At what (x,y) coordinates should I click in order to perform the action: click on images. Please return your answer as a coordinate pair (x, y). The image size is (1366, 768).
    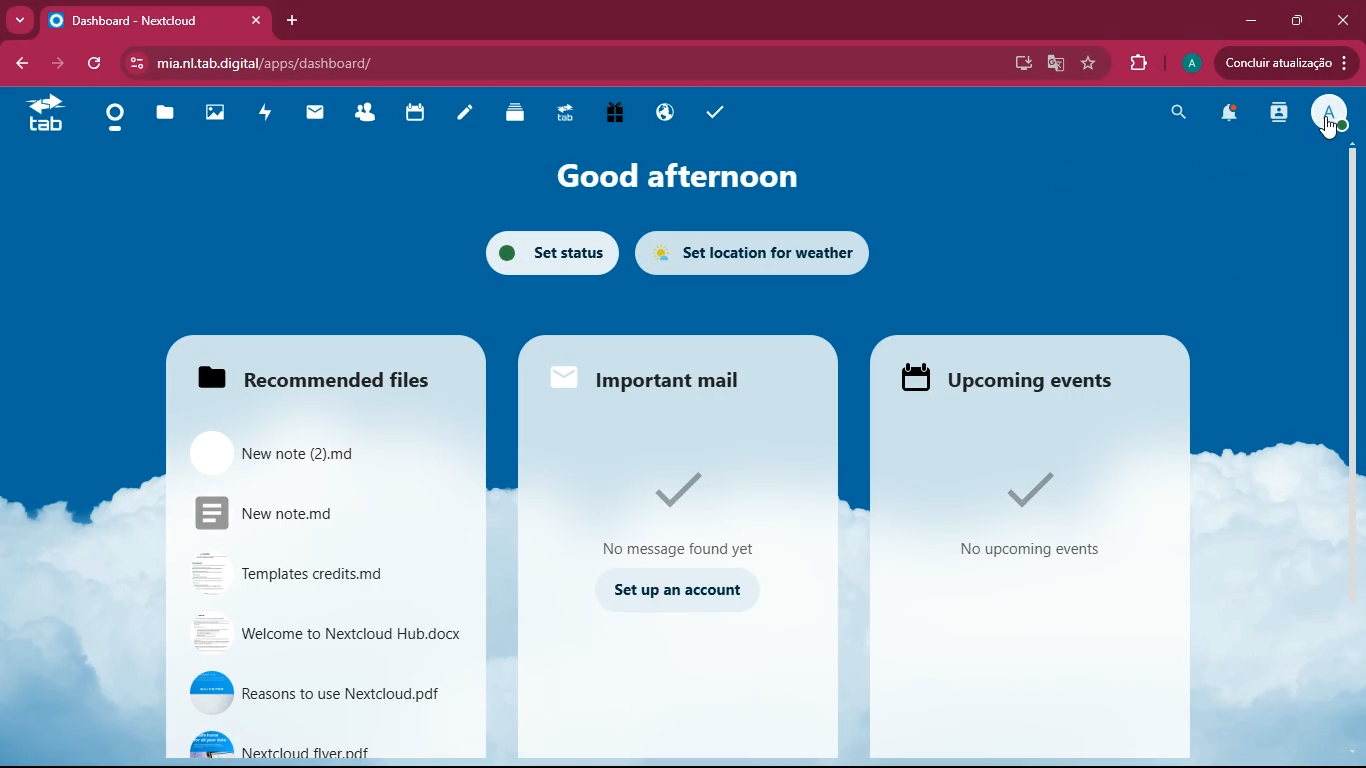
    Looking at the image, I should click on (217, 111).